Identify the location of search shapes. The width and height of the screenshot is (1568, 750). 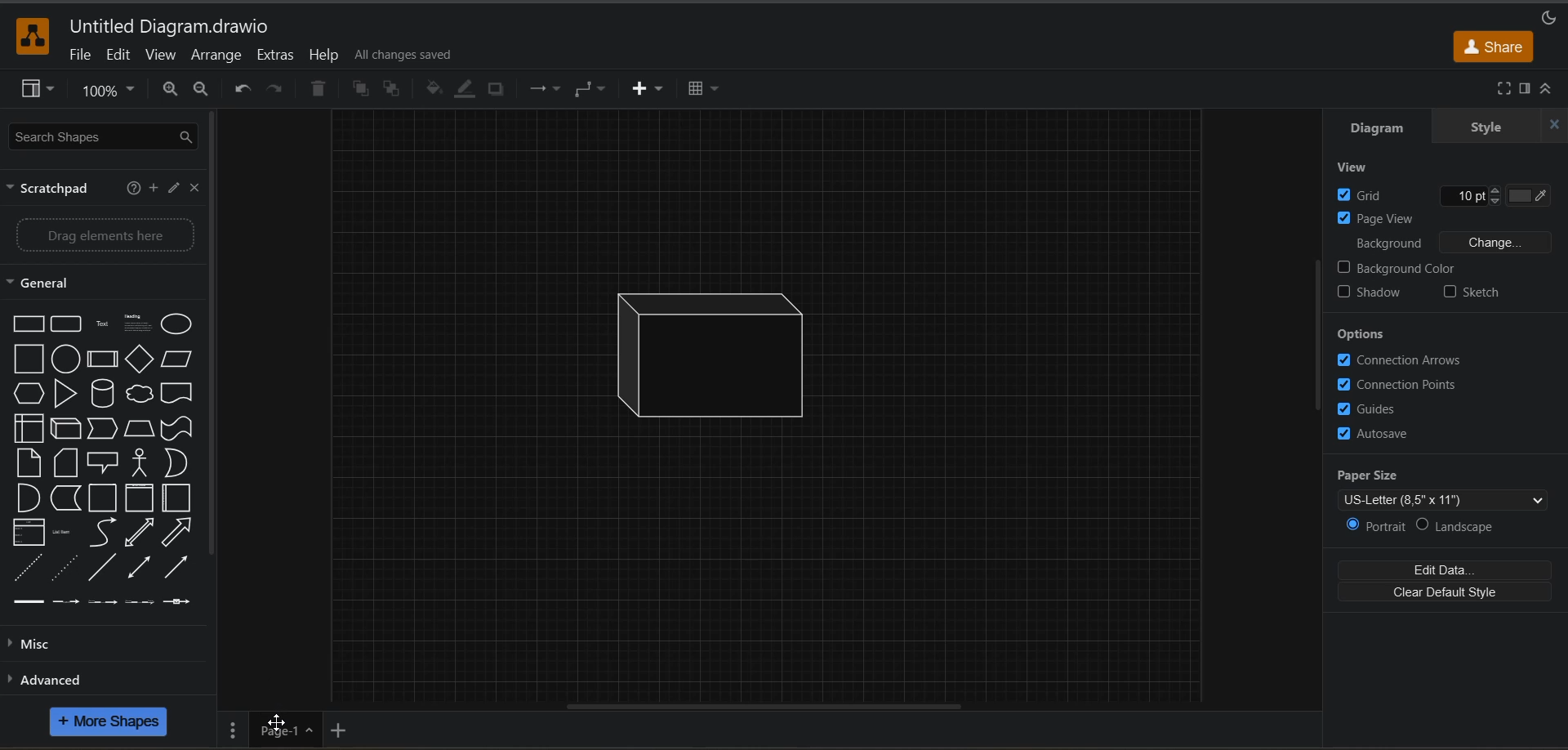
(107, 138).